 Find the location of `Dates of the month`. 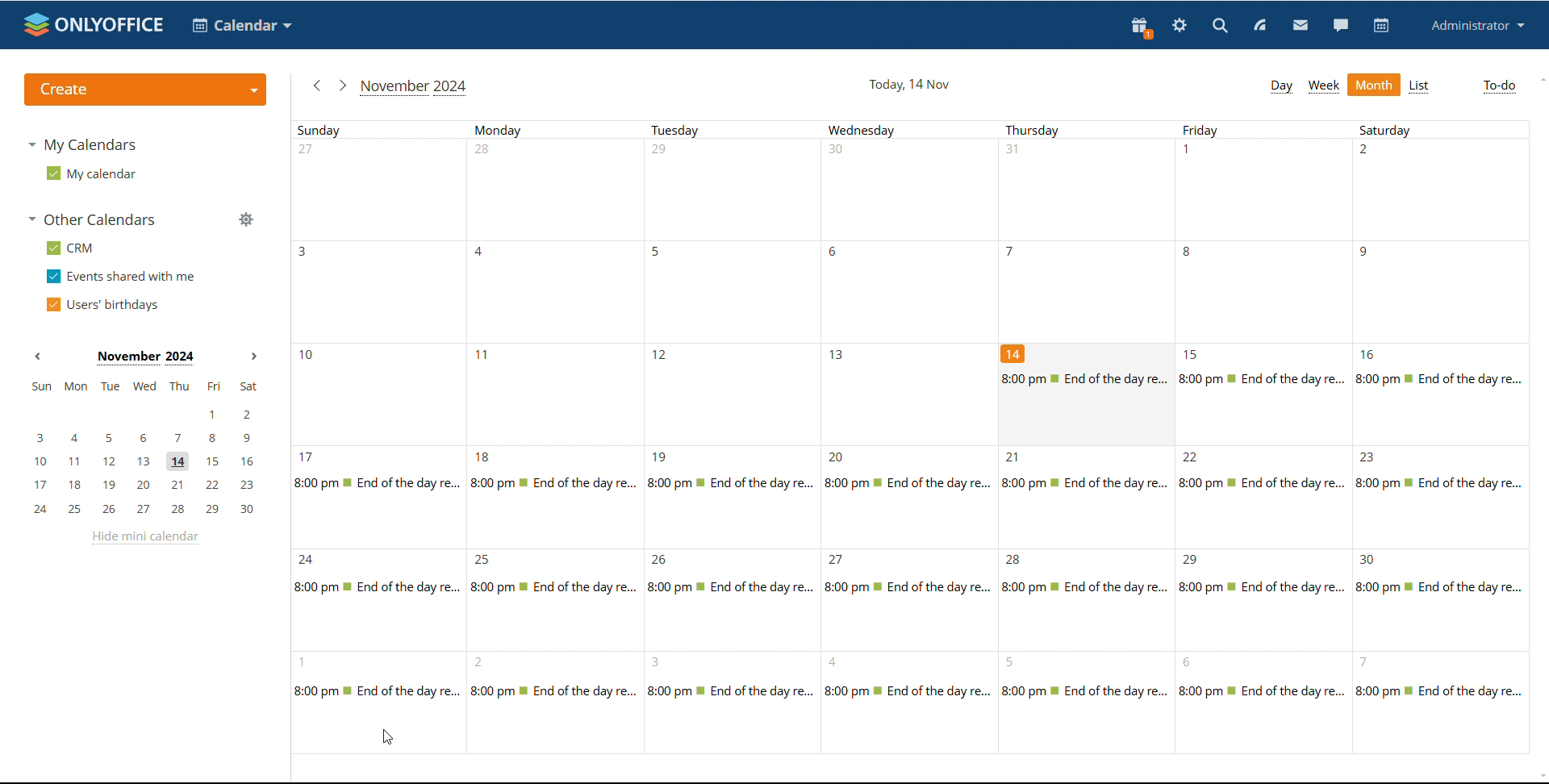

Dates of the month is located at coordinates (890, 557).